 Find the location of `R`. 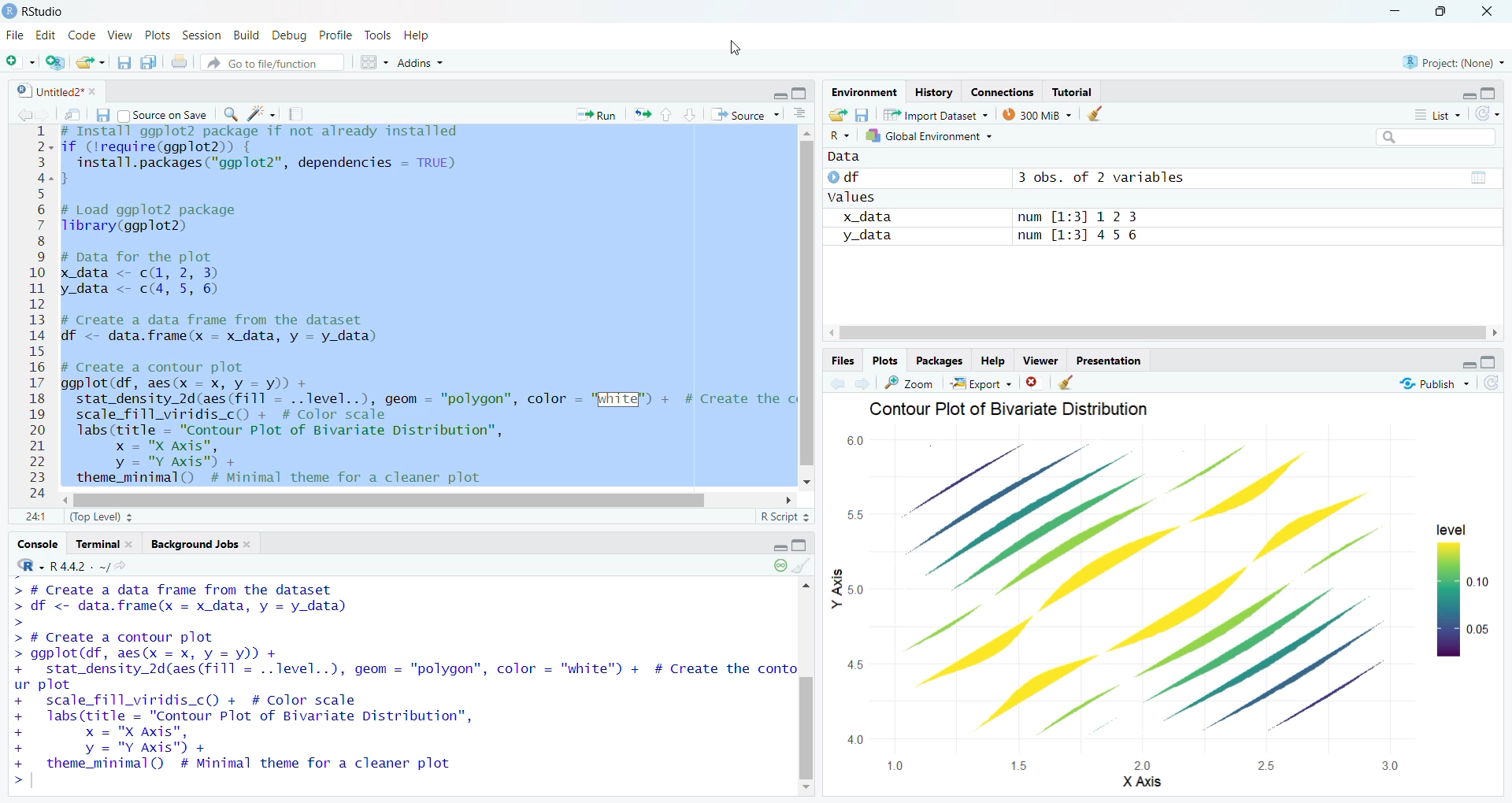

R is located at coordinates (838, 136).